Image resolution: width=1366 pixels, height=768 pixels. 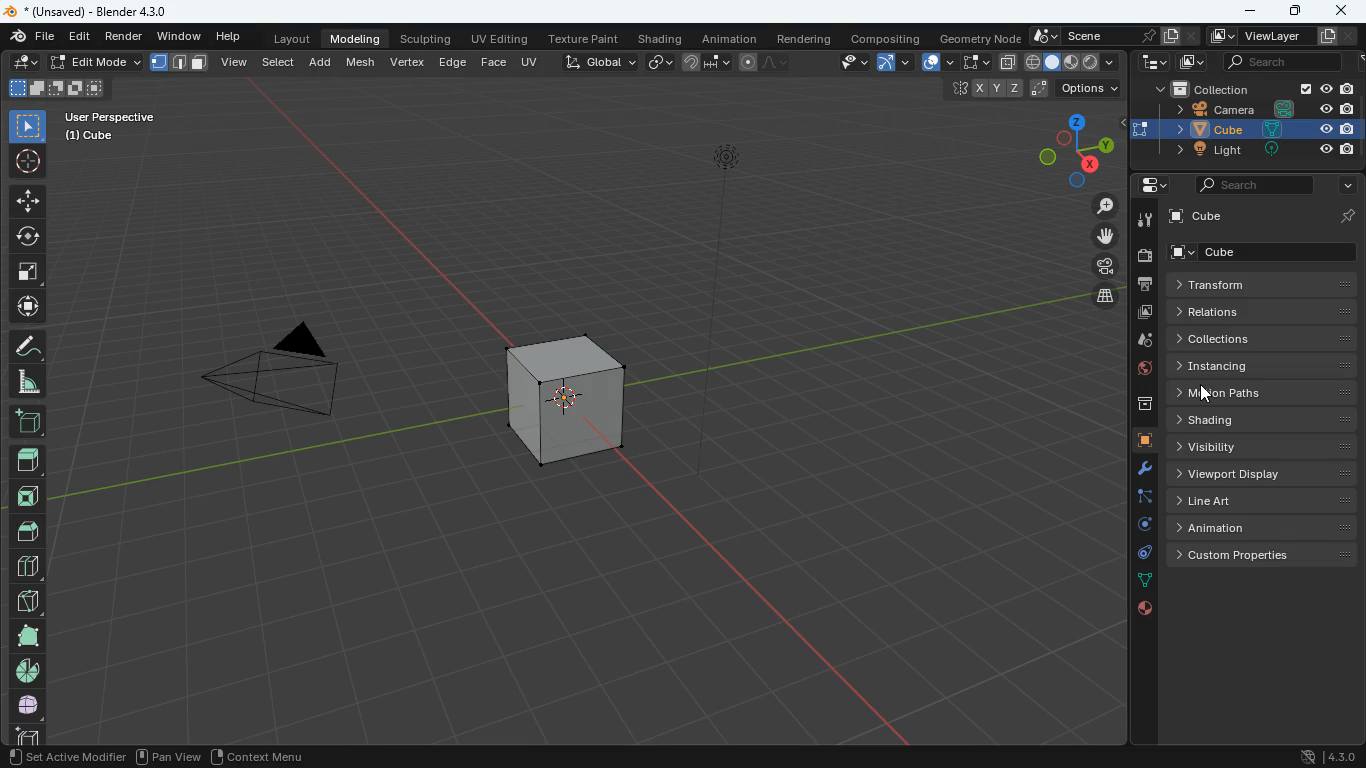 I want to click on move, so click(x=27, y=200).